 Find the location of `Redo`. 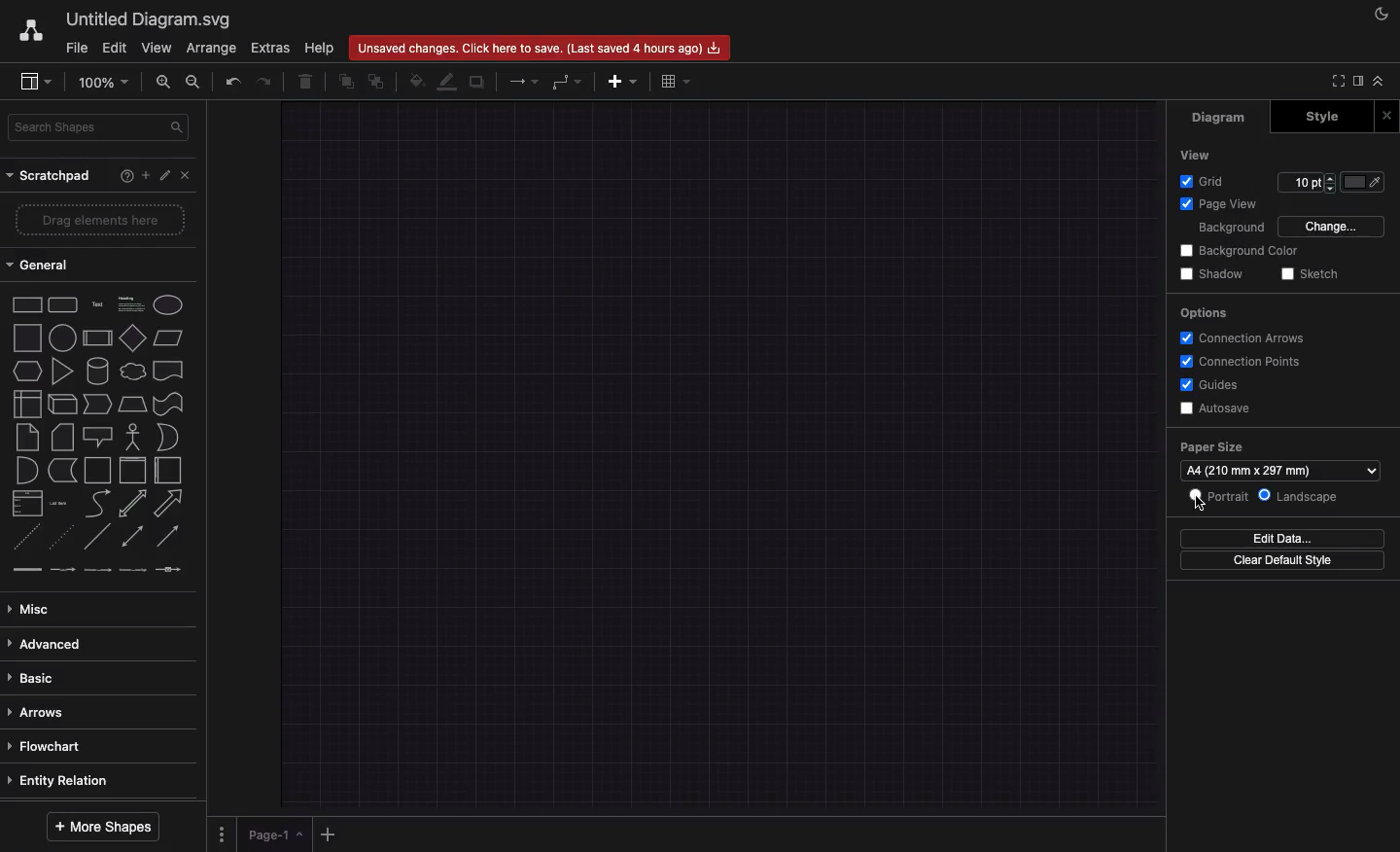

Redo is located at coordinates (267, 81).